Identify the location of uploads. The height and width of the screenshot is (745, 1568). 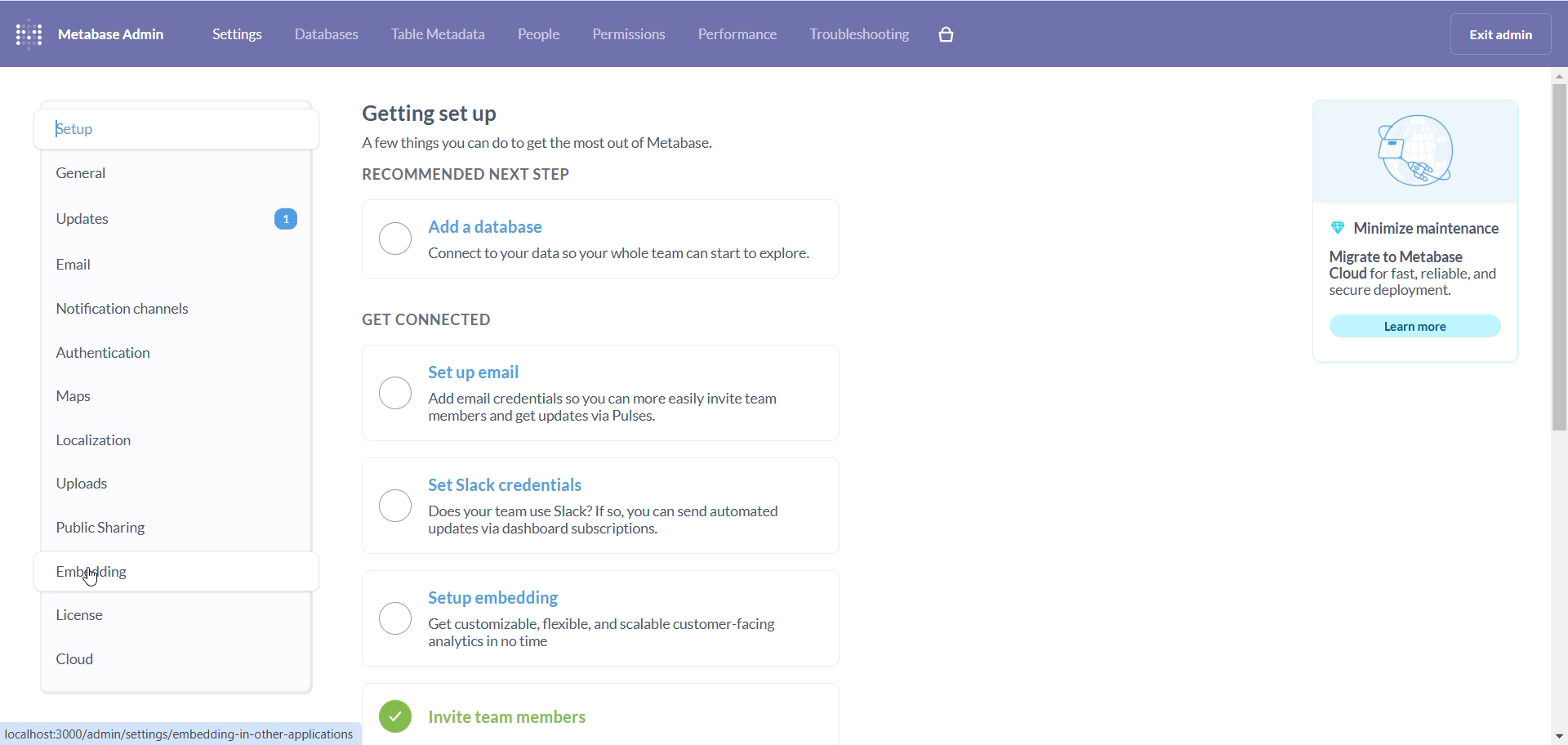
(158, 491).